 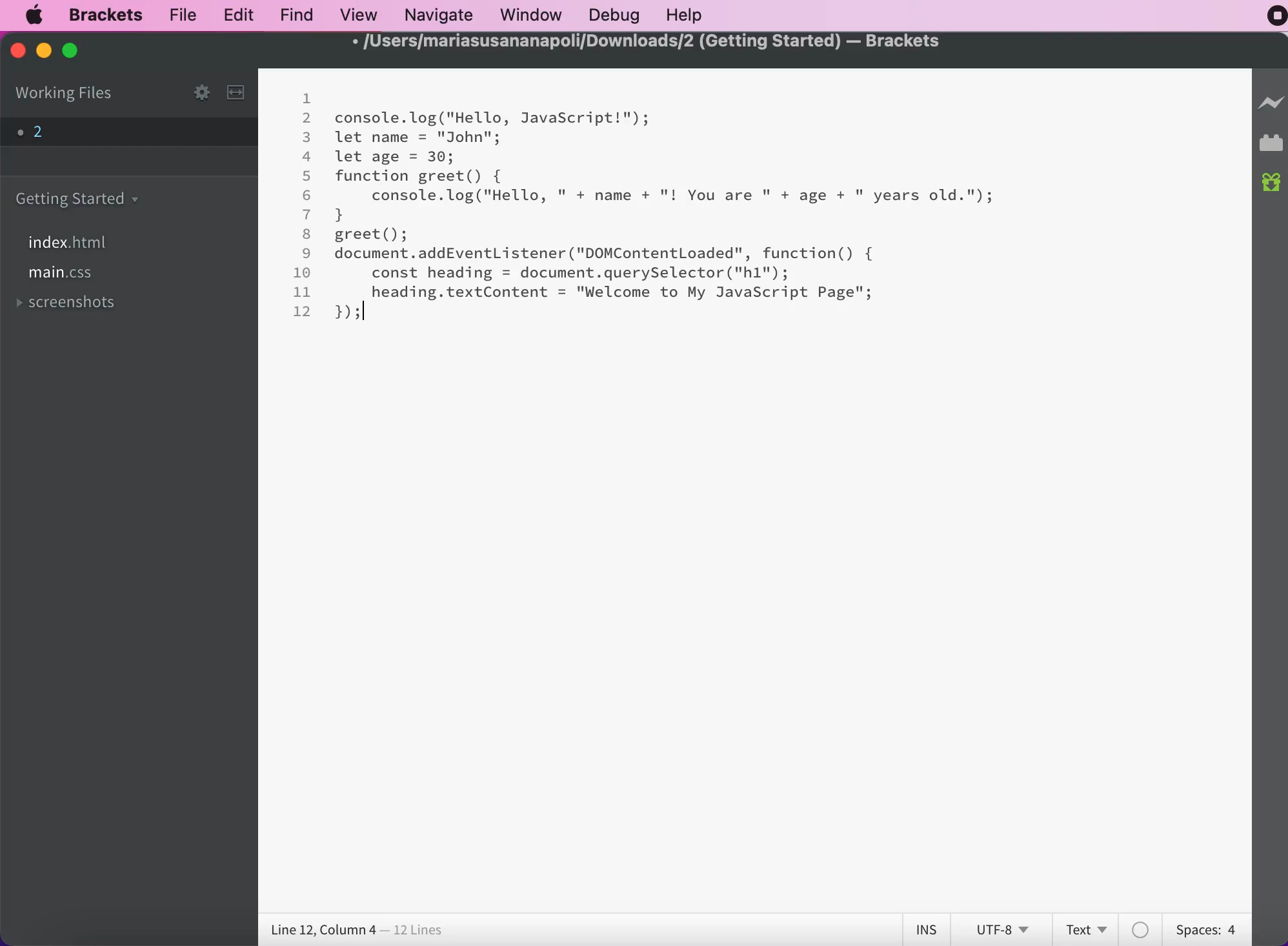 I want to click on line 12, column 4 - 12 lines, so click(x=356, y=929).